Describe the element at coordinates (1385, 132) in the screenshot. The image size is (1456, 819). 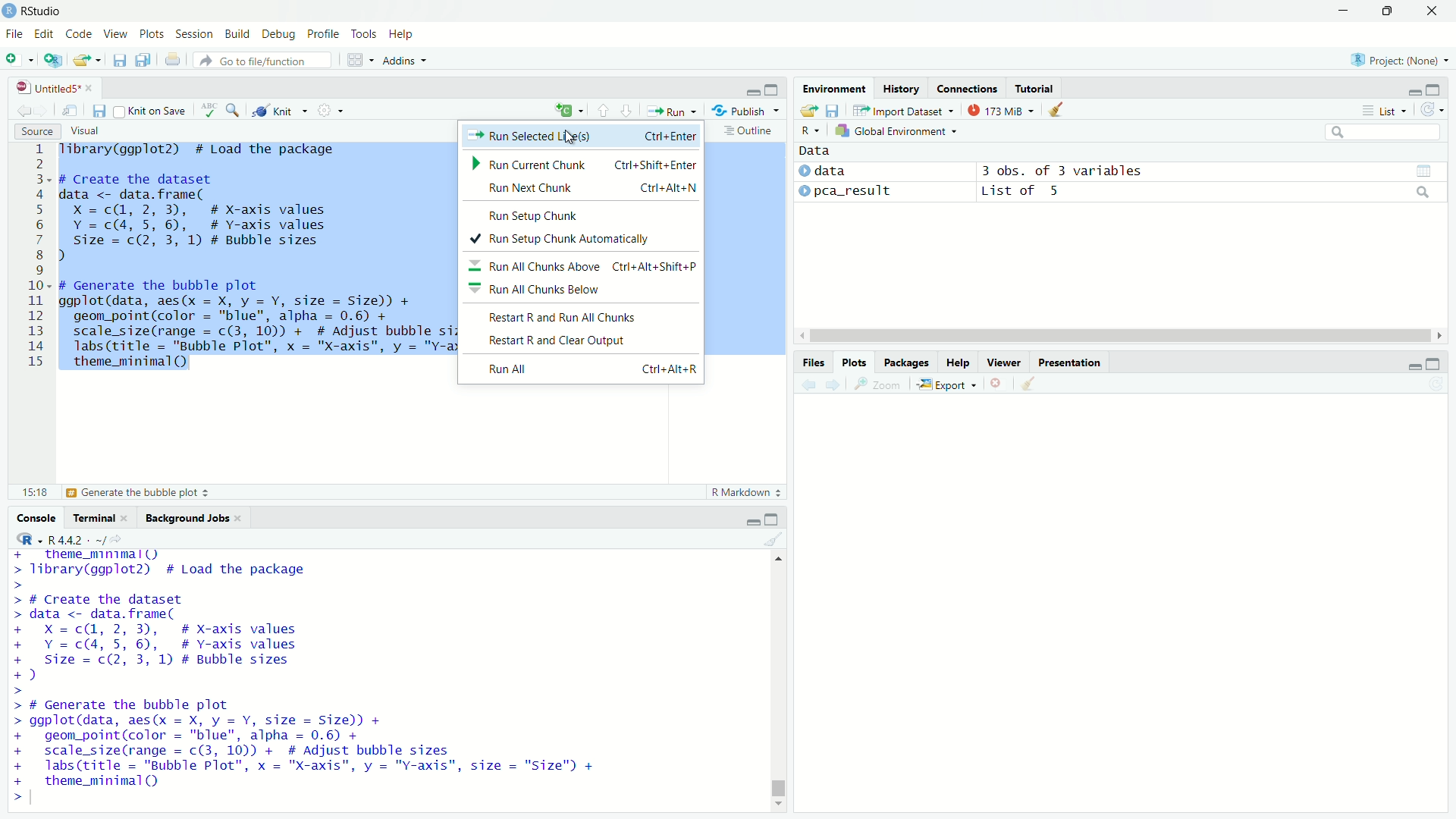
I see `search` at that location.